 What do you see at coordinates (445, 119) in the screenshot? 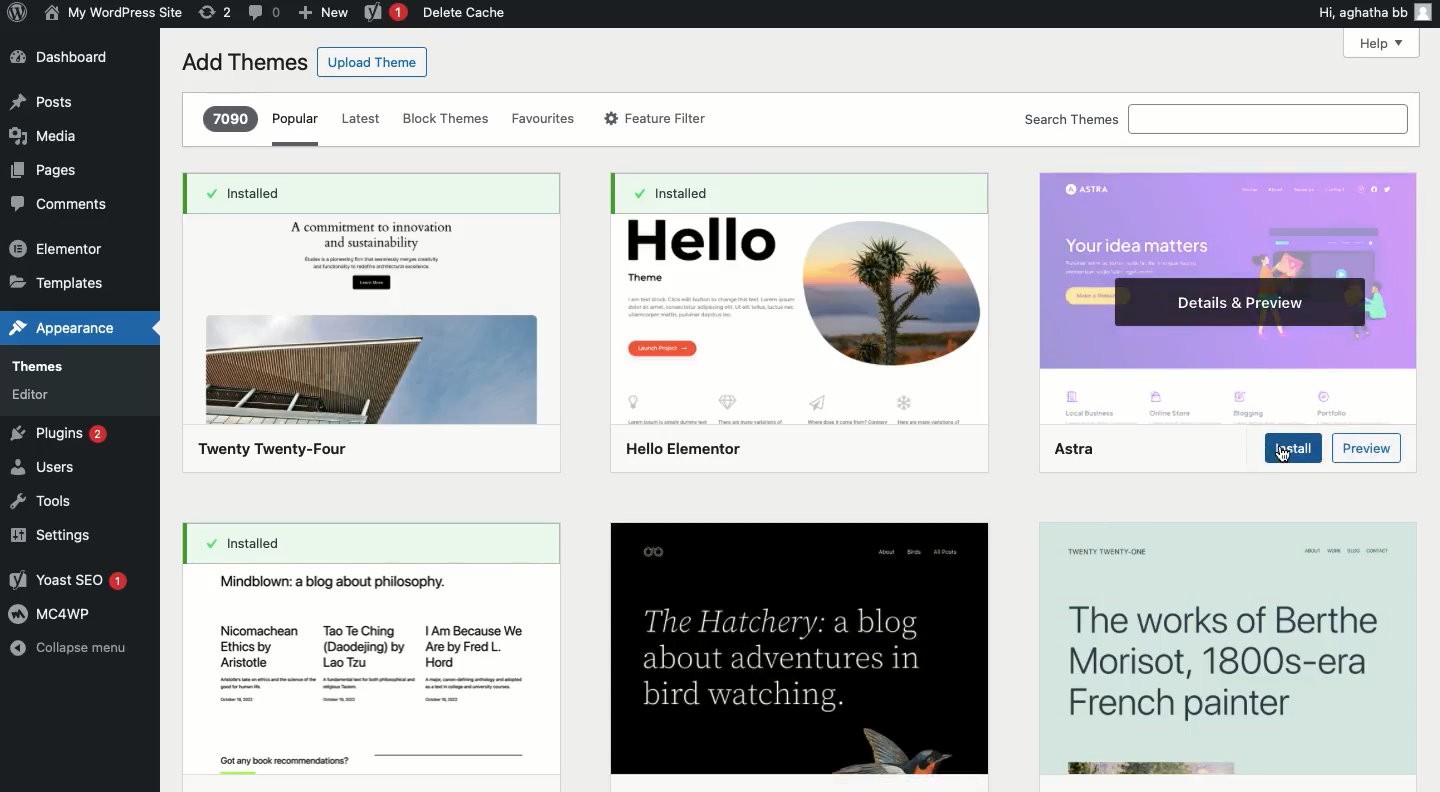
I see `Block themes` at bounding box center [445, 119].